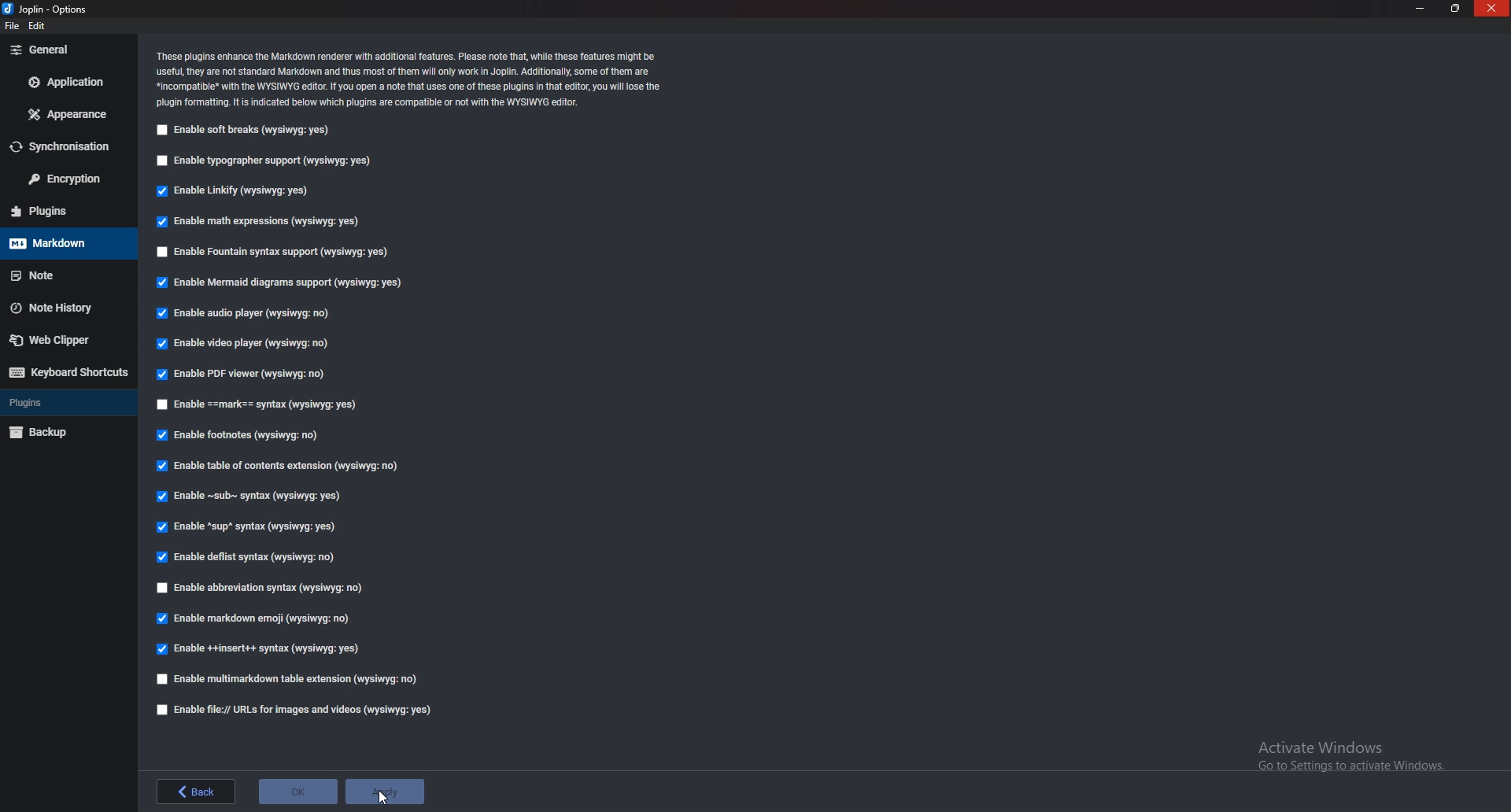  Describe the element at coordinates (248, 496) in the screenshot. I see `Enable sub syntax` at that location.